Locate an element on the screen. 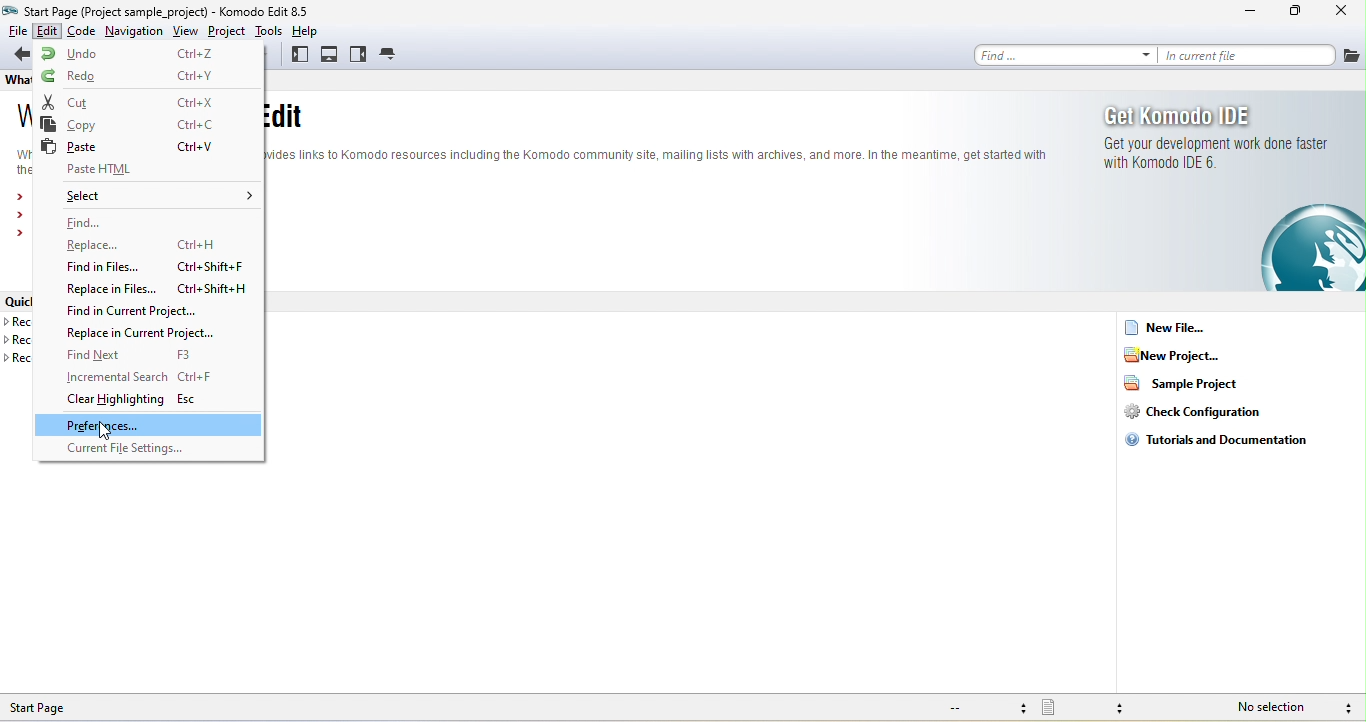 The width and height of the screenshot is (1366, 722). maximize is located at coordinates (1288, 12).